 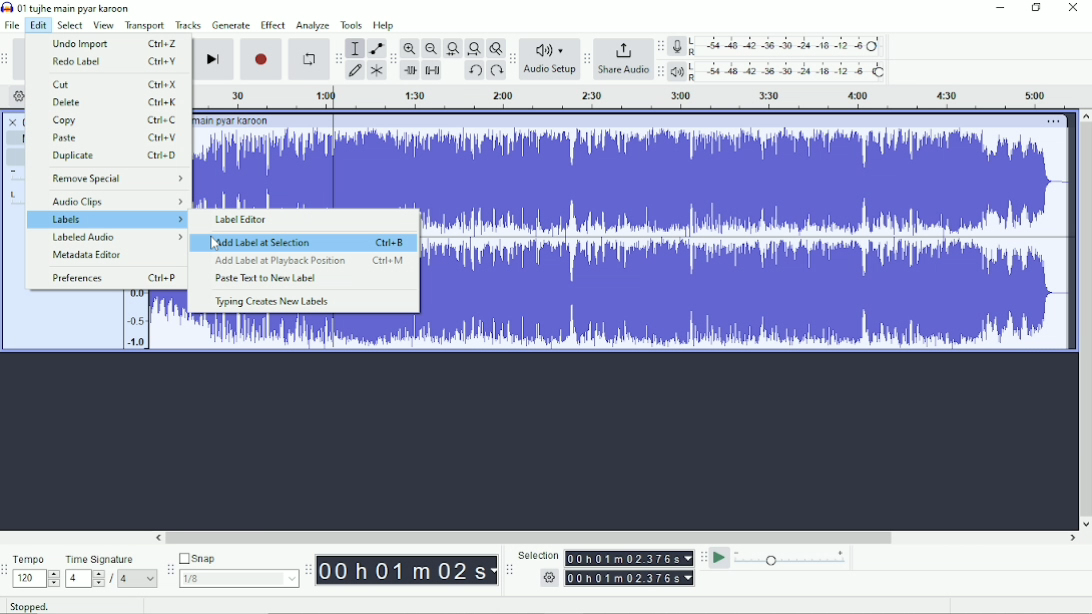 What do you see at coordinates (18, 96) in the screenshot?
I see `Timeline options` at bounding box center [18, 96].